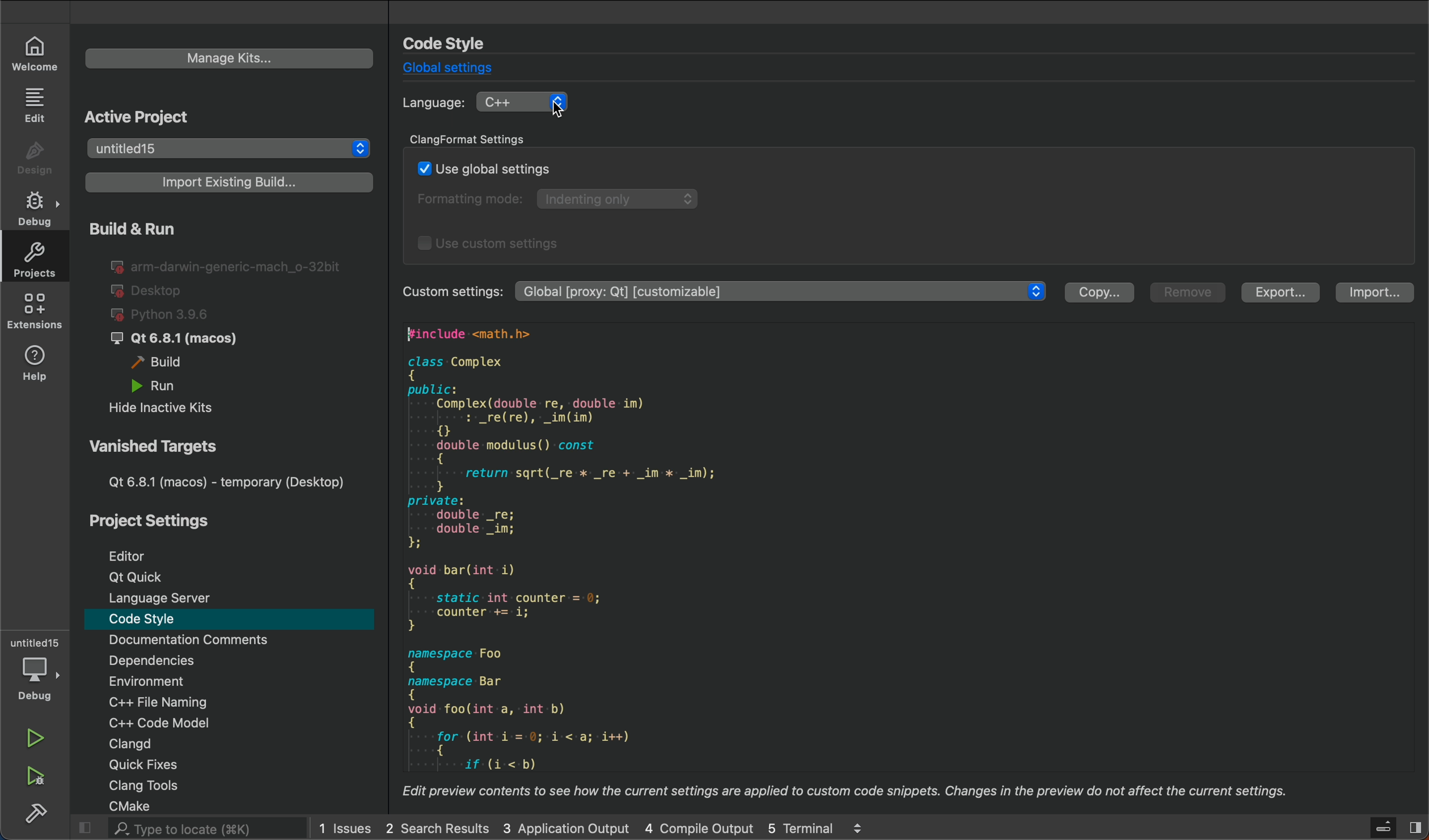  I want to click on quick fixes, so click(158, 765).